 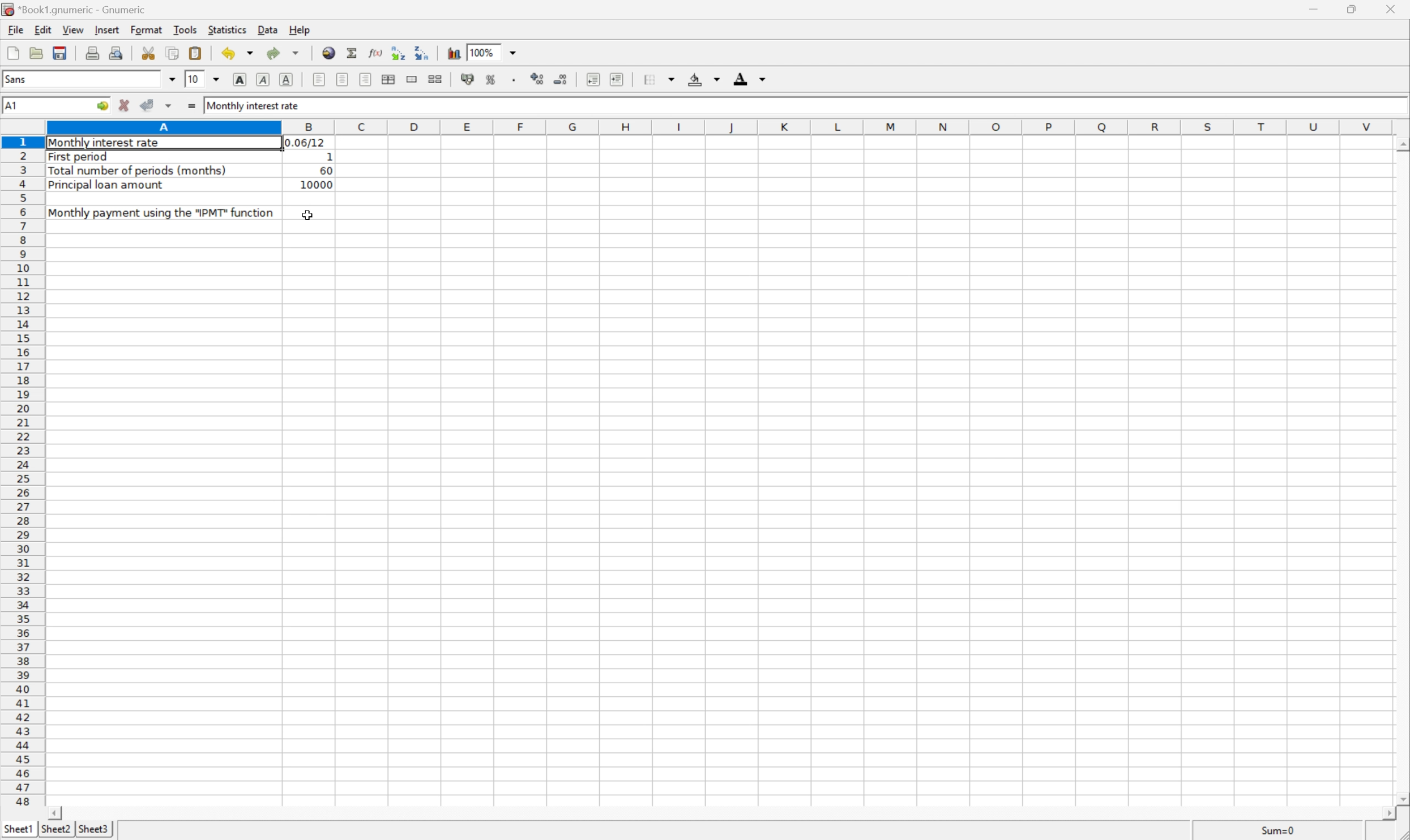 I want to click on Split the ranges of merged cells, so click(x=437, y=80).